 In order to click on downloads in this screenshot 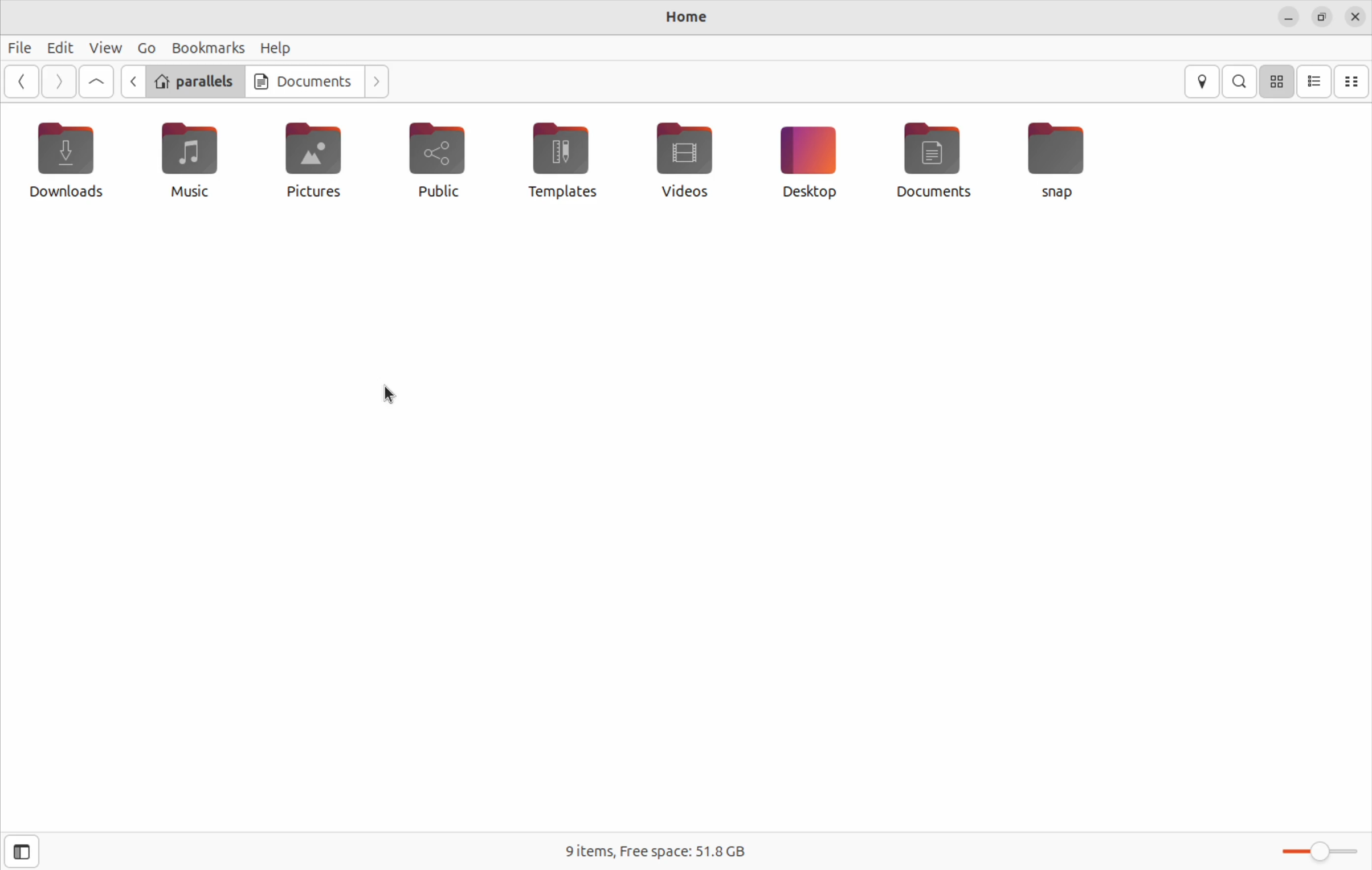, I will do `click(69, 160)`.